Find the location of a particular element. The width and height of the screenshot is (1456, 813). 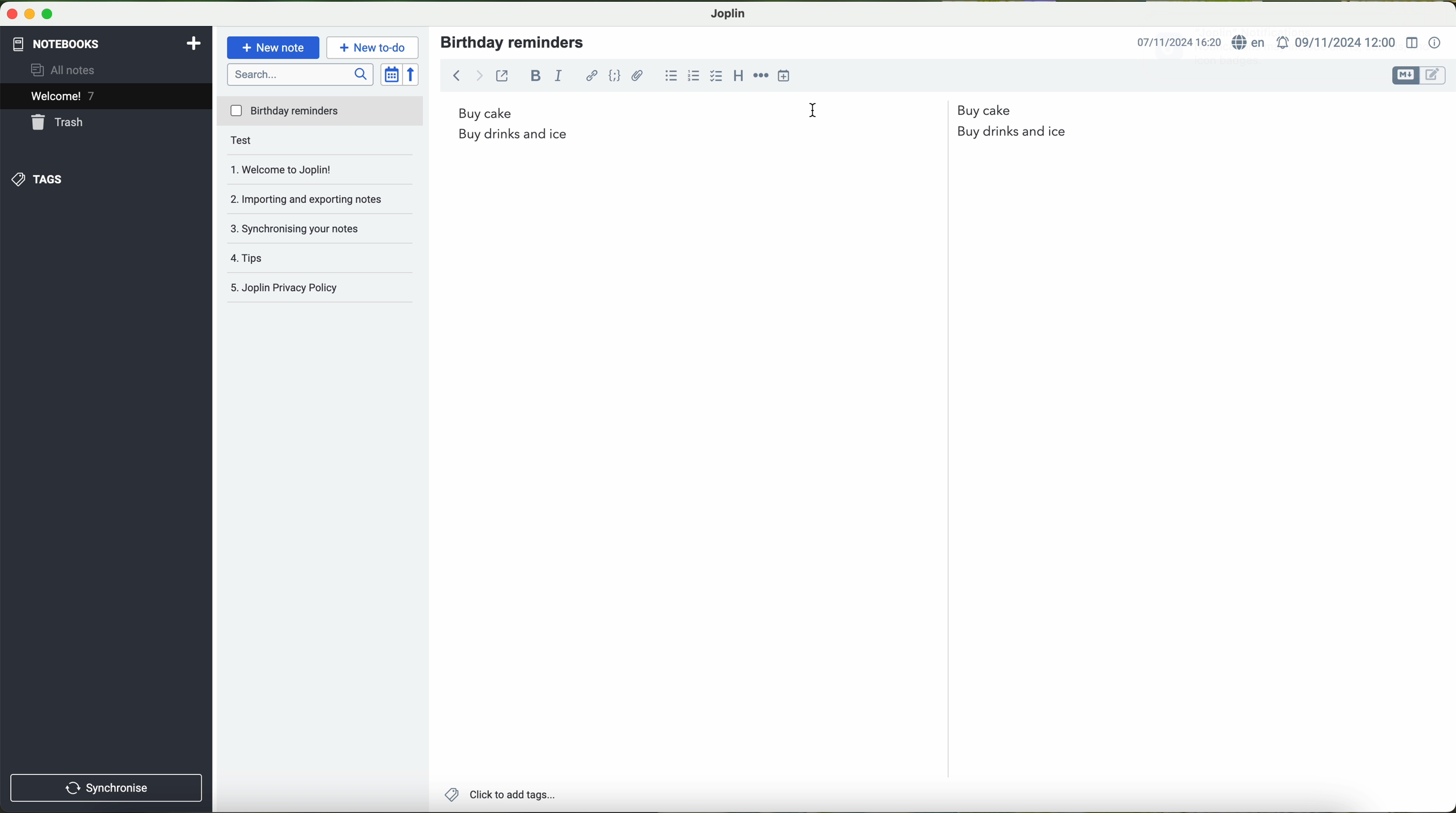

date and time is located at coordinates (1169, 42).